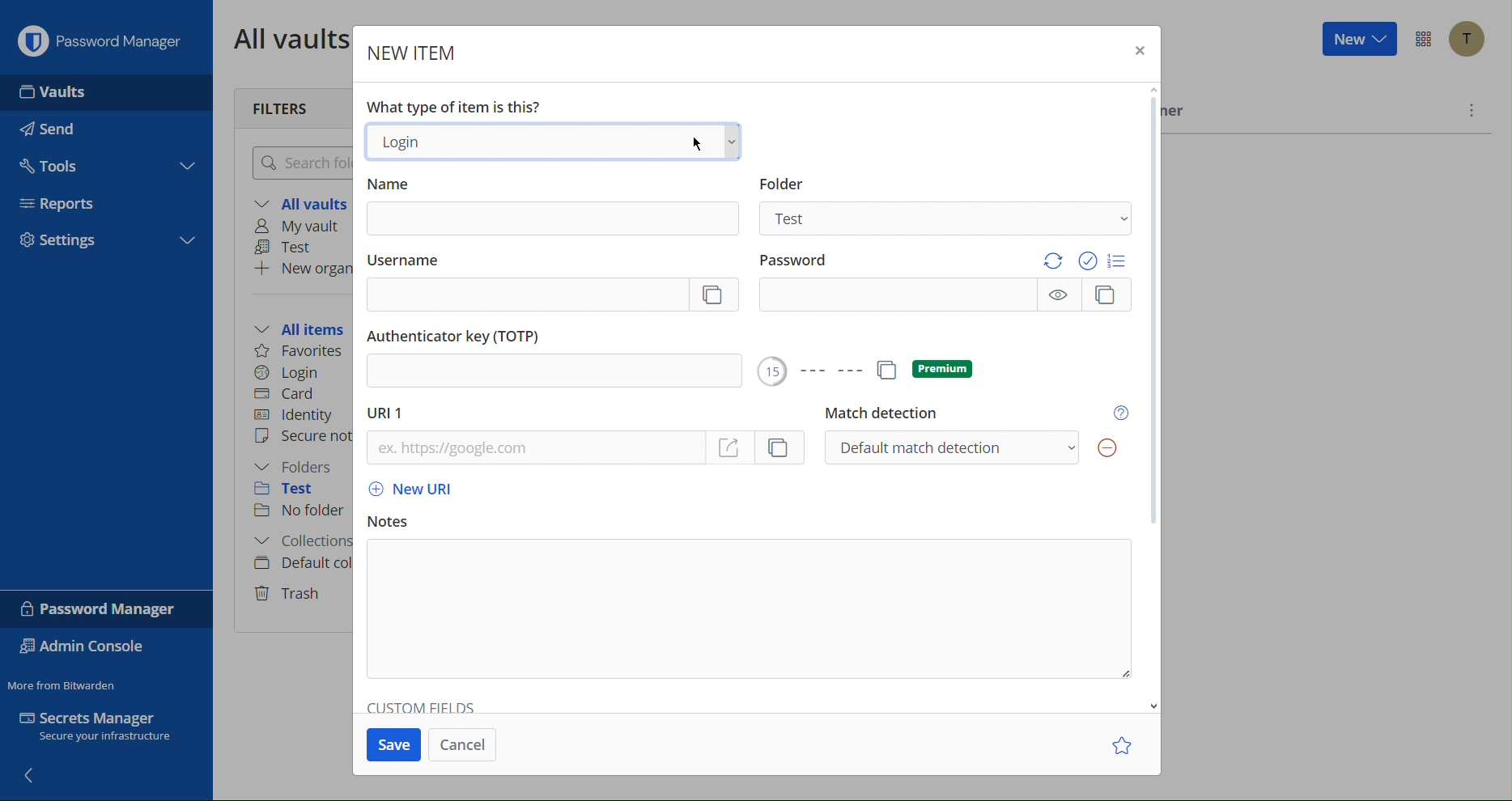 This screenshot has width=1512, height=801. Describe the element at coordinates (592, 451) in the screenshot. I see `URL` at that location.